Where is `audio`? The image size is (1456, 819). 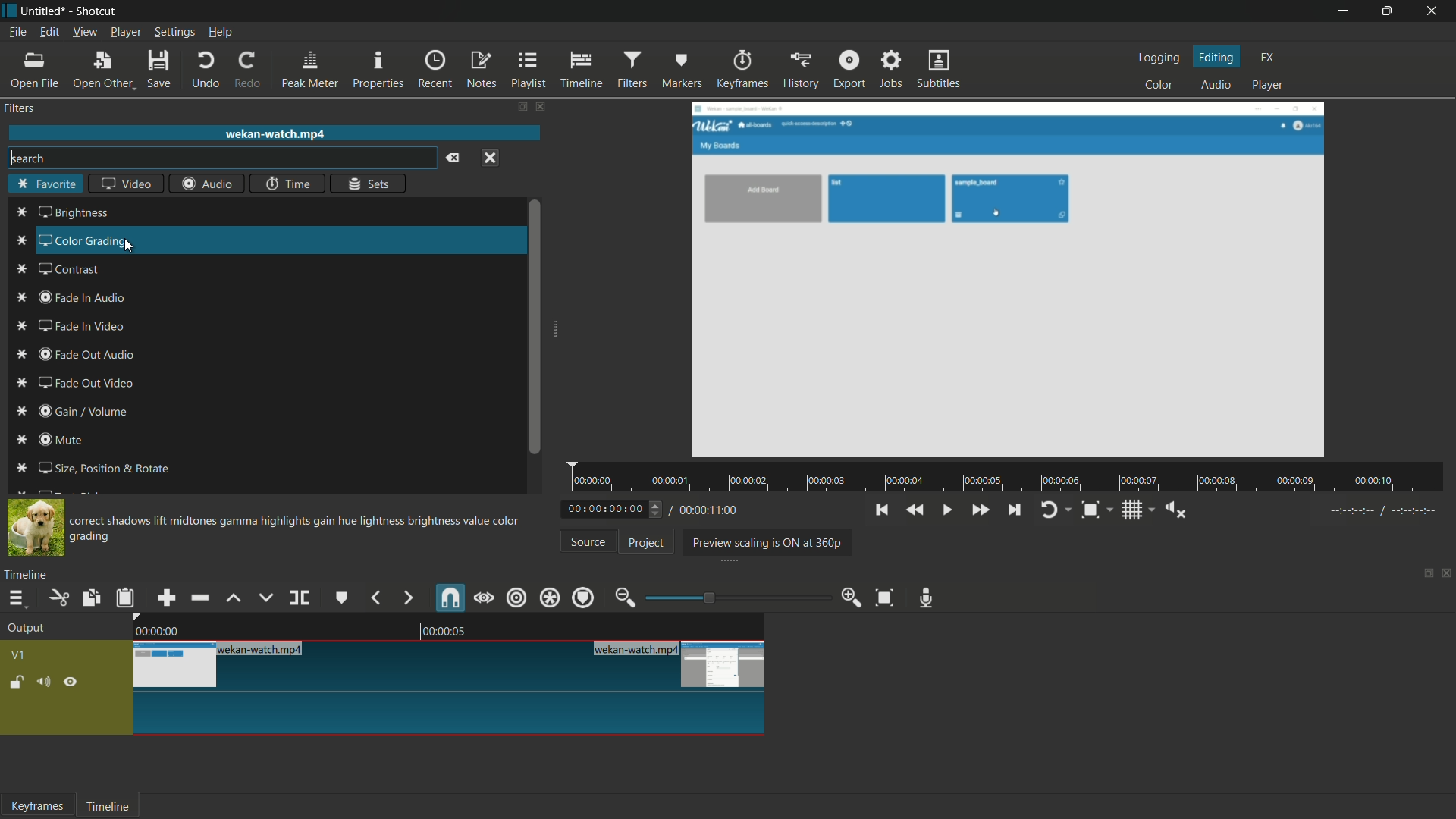
audio is located at coordinates (1216, 86).